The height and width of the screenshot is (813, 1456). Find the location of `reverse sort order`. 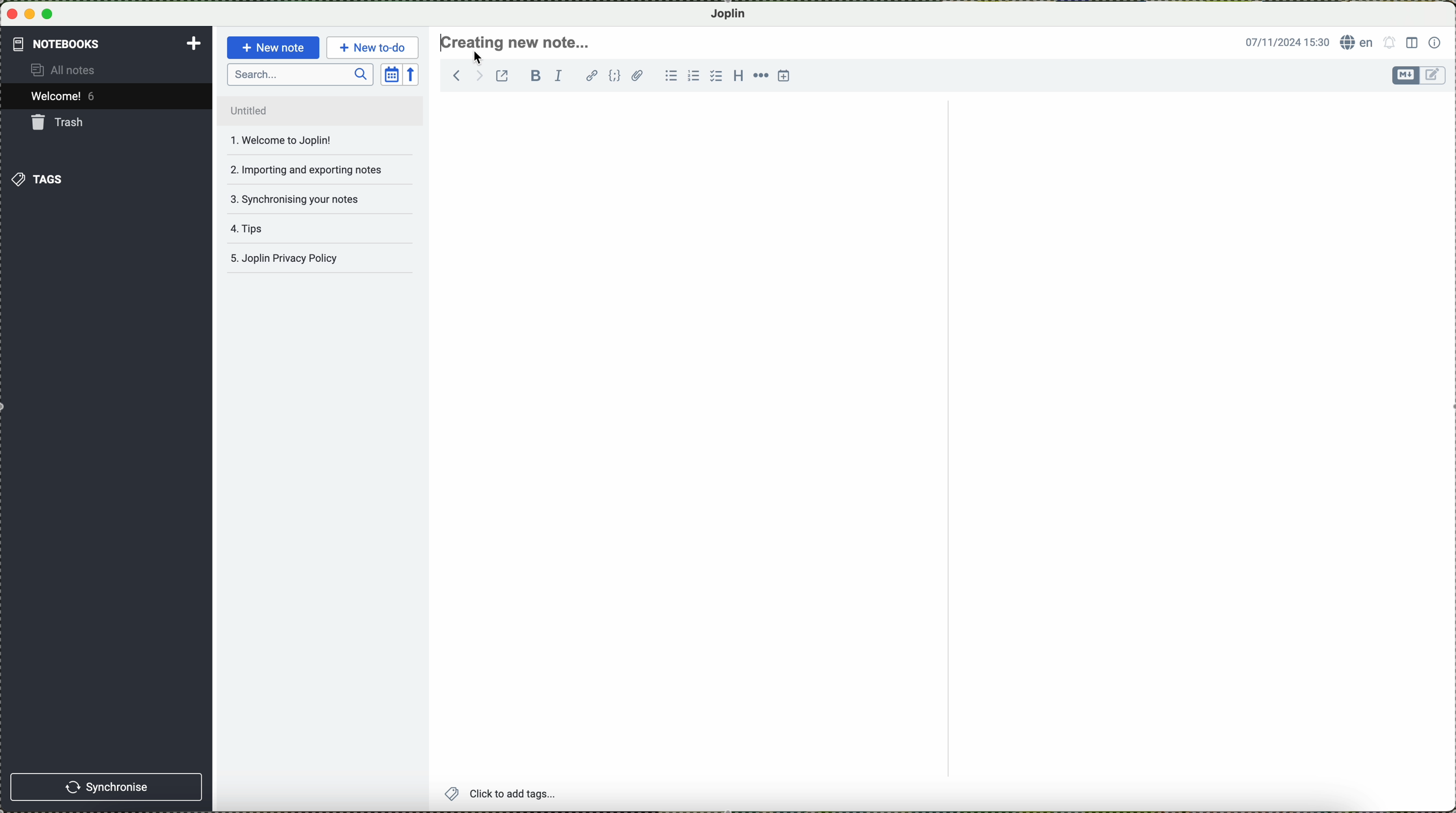

reverse sort order is located at coordinates (414, 73).